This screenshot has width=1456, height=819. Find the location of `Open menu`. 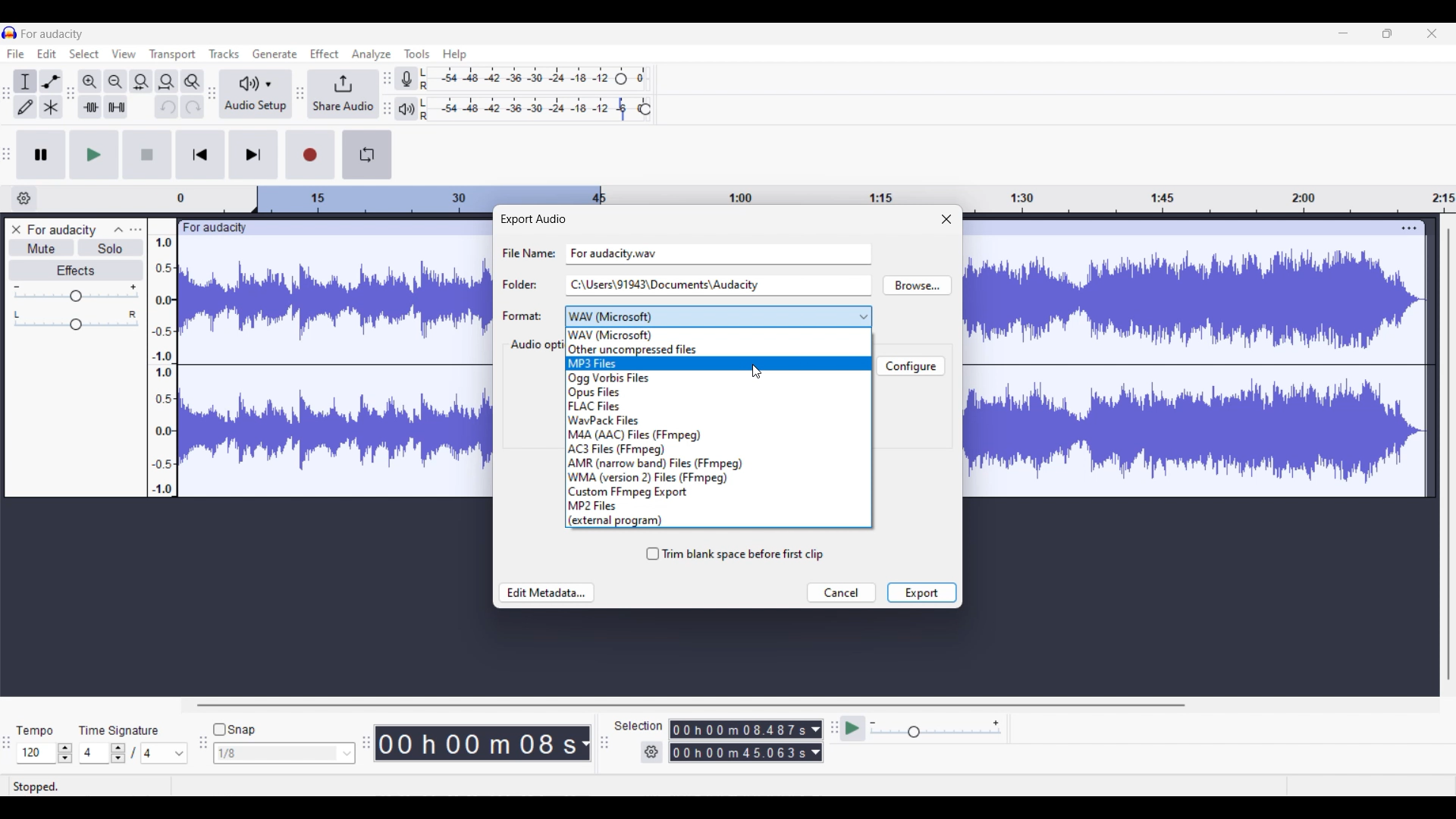

Open menu is located at coordinates (136, 229).